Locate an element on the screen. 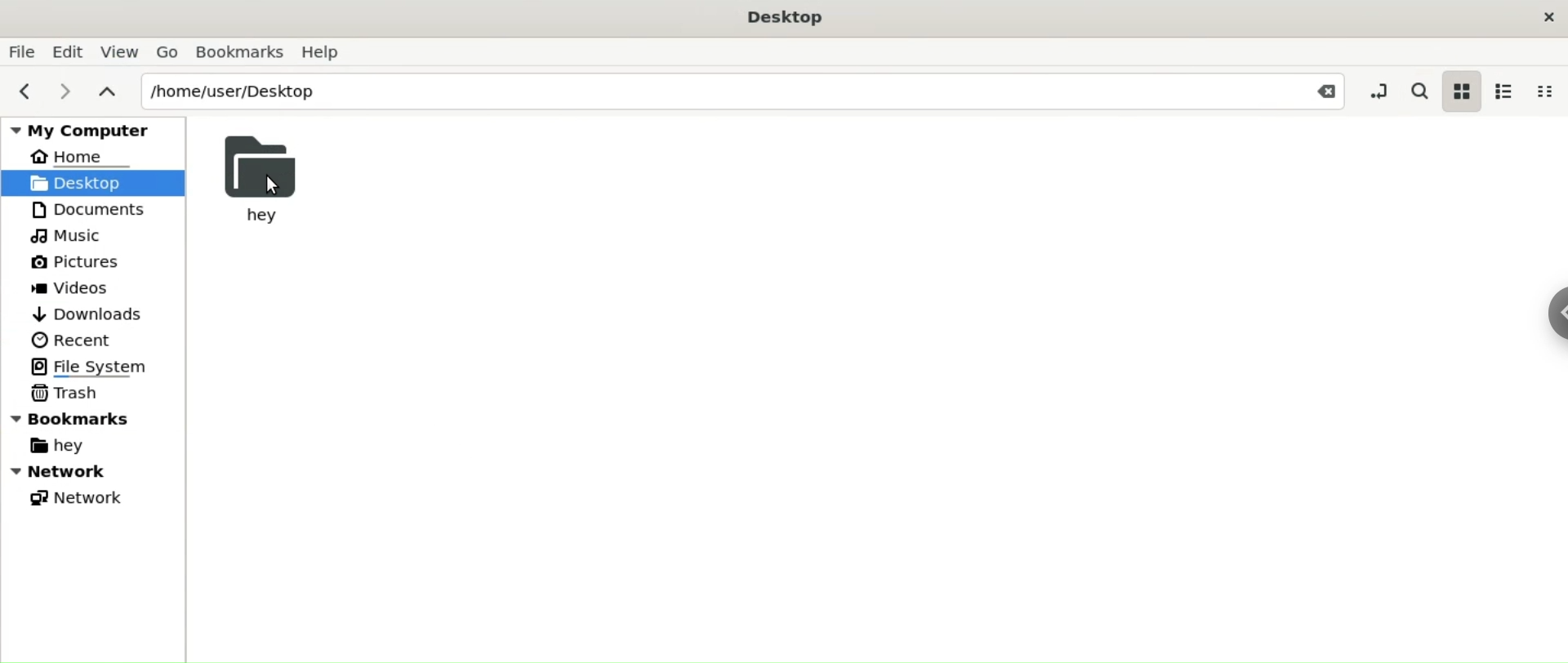 The width and height of the screenshot is (1568, 663). compact view is located at coordinates (1549, 90).